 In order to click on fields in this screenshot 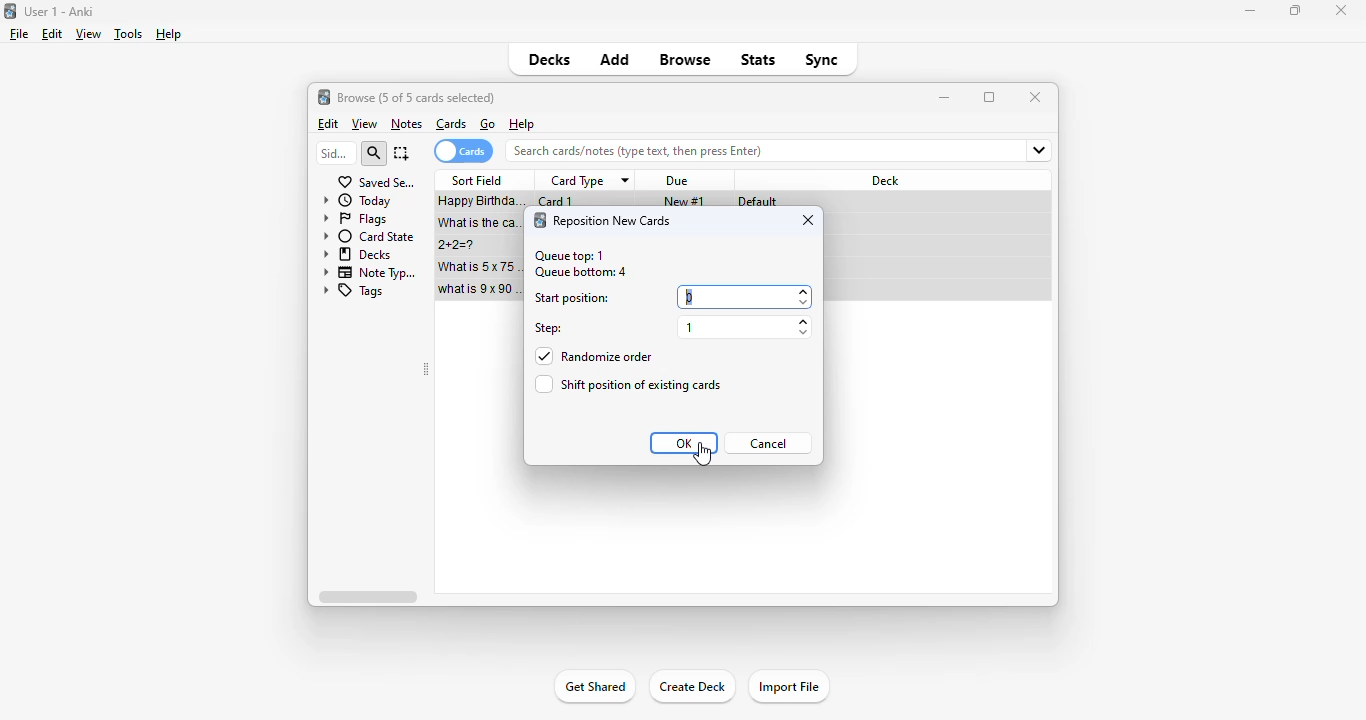, I will do `click(1030, 151)`.